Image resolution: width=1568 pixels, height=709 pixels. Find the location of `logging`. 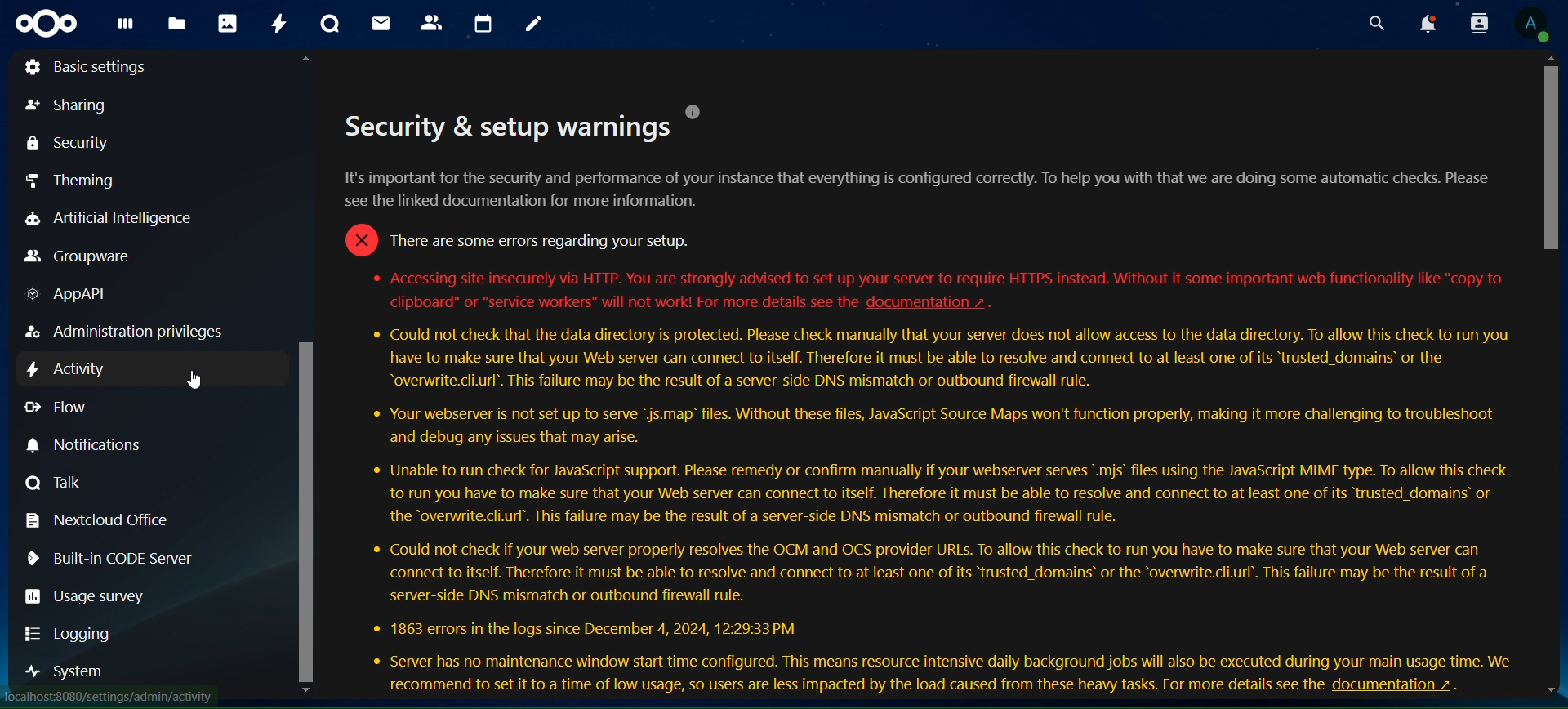

logging is located at coordinates (73, 635).